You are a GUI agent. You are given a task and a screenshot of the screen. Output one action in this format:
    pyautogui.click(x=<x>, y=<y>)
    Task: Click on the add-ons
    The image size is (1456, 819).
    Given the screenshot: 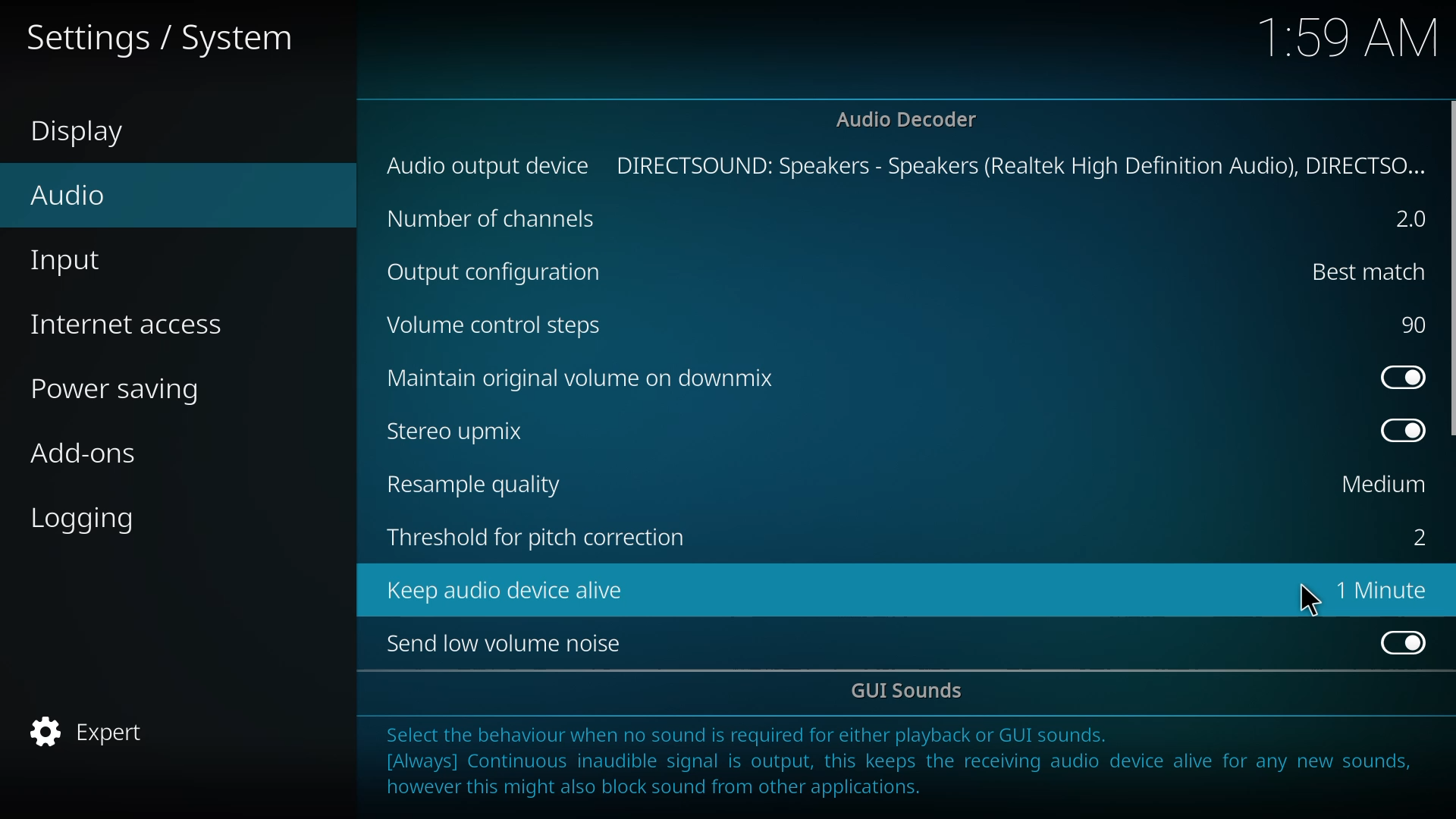 What is the action you would take?
    pyautogui.click(x=86, y=453)
    